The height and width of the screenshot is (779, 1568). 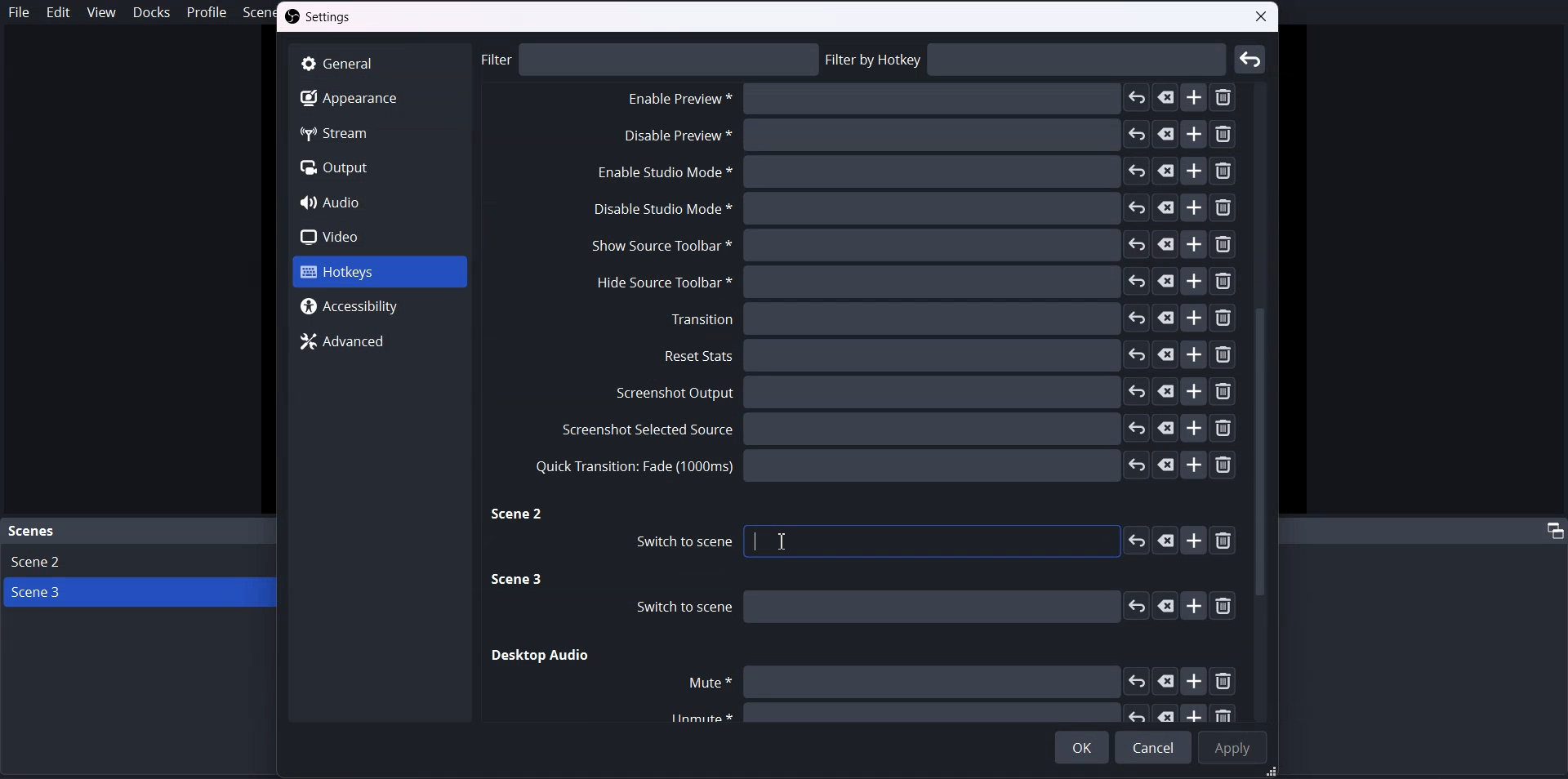 What do you see at coordinates (1082, 747) in the screenshot?
I see `OK` at bounding box center [1082, 747].